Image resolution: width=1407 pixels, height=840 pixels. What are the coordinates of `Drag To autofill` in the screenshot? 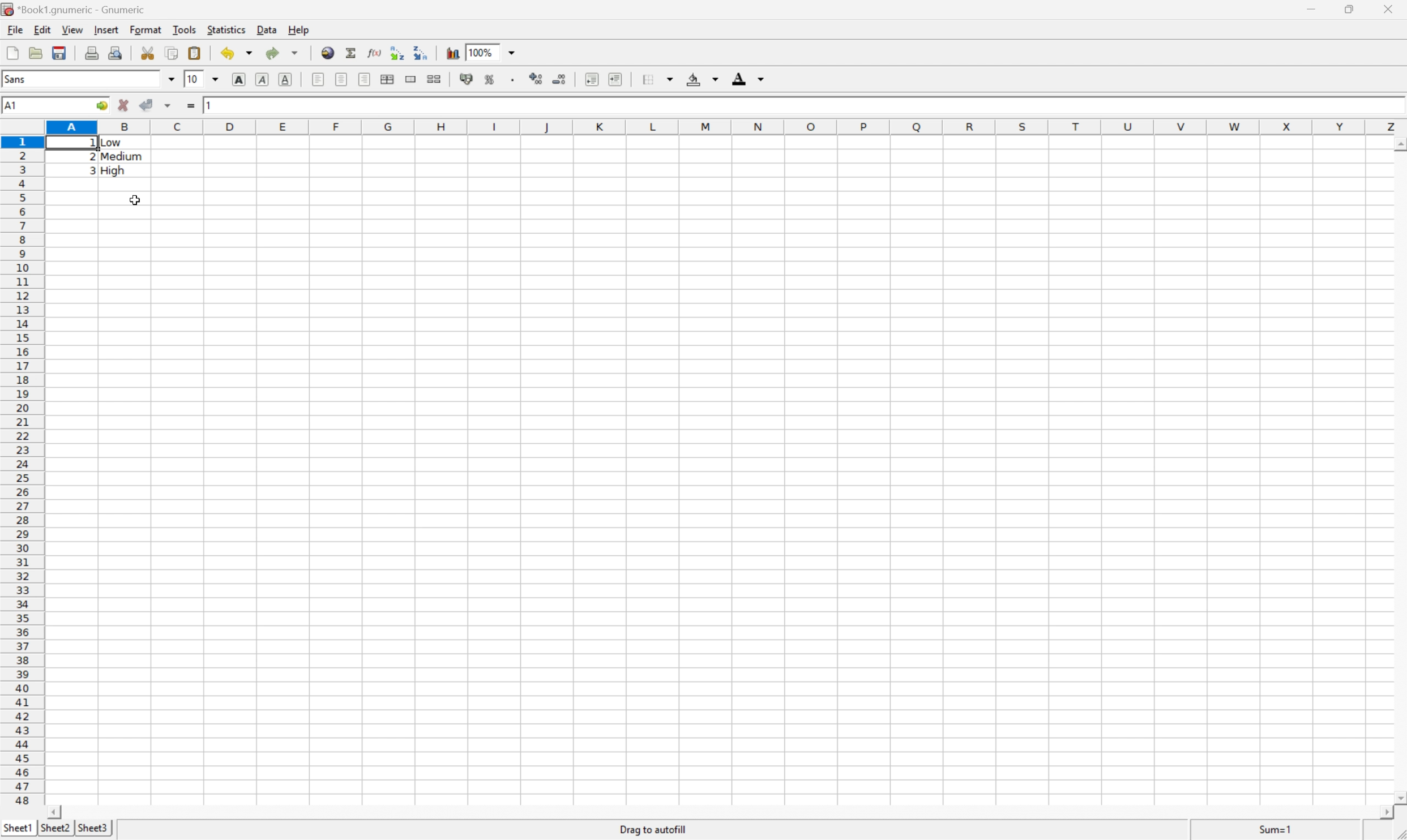 It's located at (652, 829).